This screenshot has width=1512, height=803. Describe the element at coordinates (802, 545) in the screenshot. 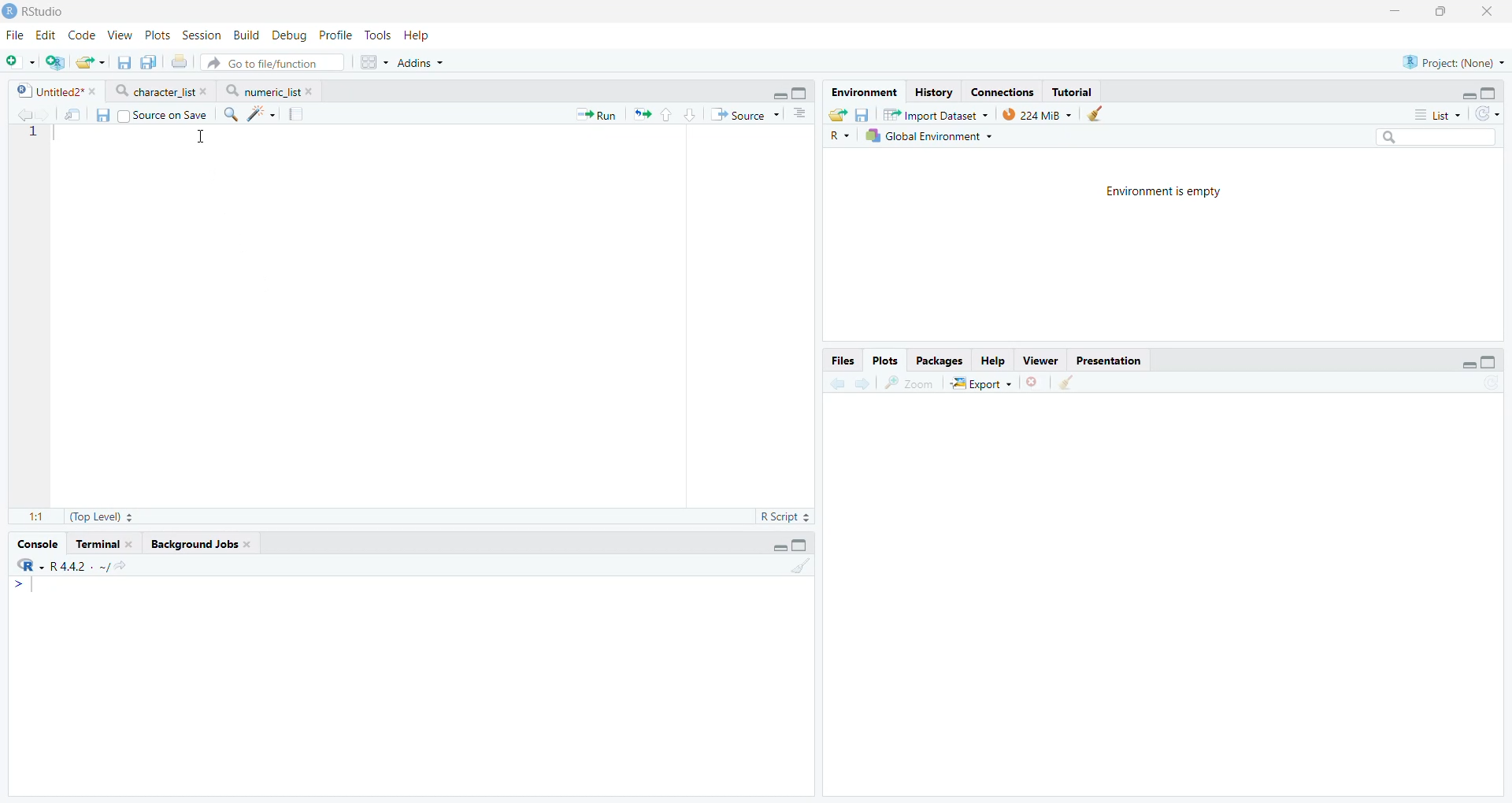

I see `Full Height` at that location.